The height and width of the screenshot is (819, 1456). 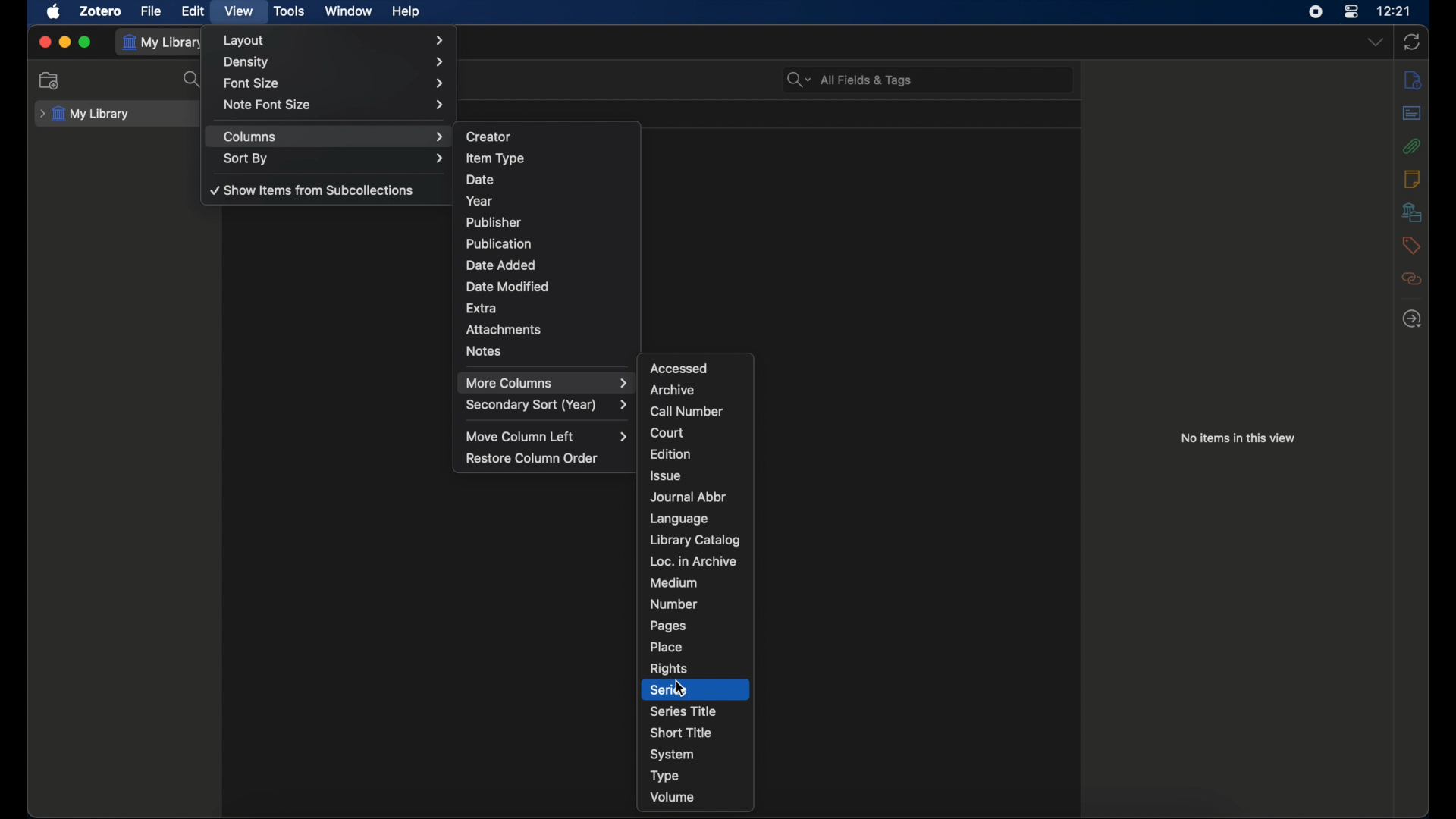 What do you see at coordinates (681, 690) in the screenshot?
I see `cursor` at bounding box center [681, 690].